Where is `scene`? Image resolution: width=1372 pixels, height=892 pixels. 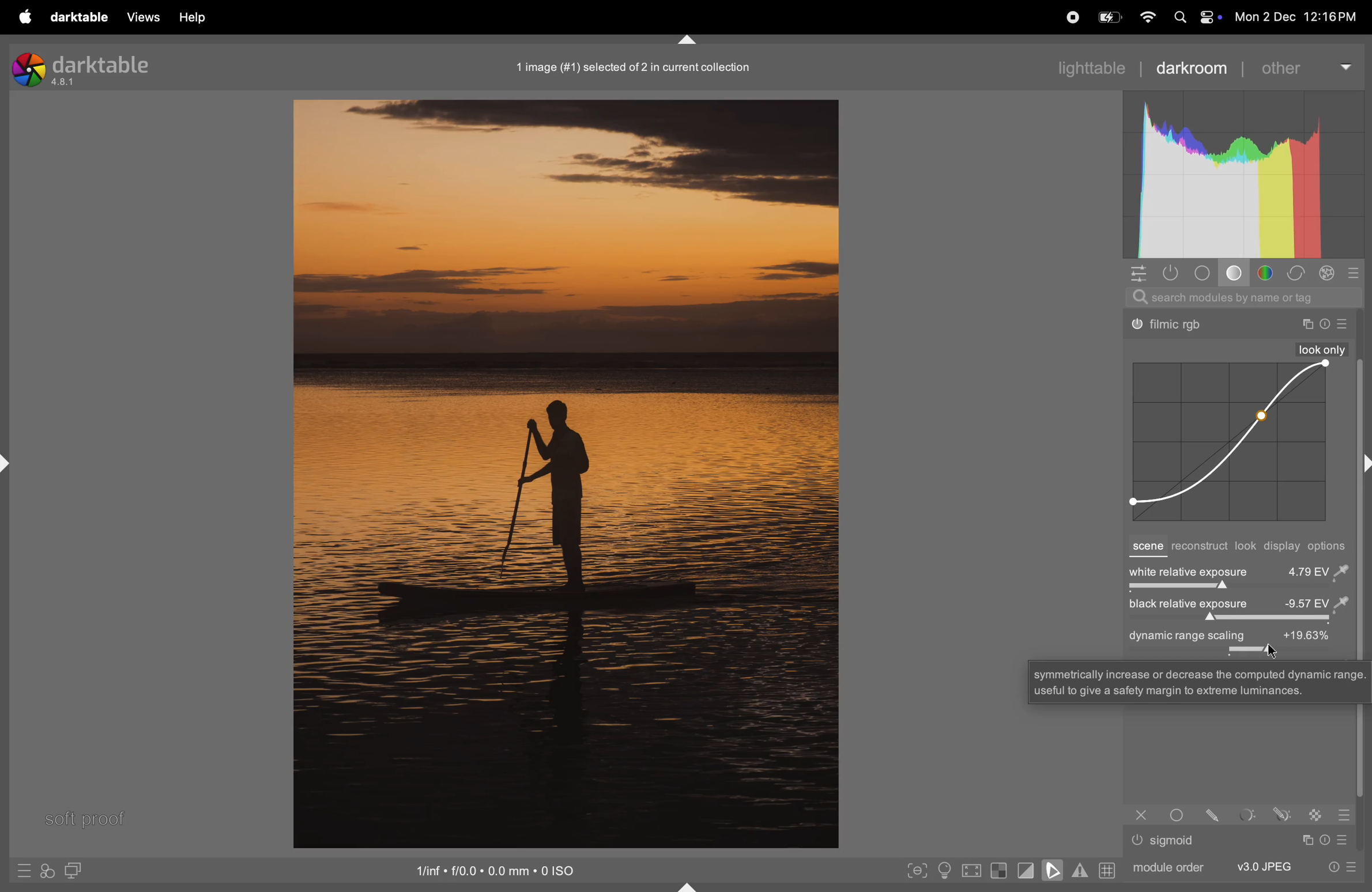
scene is located at coordinates (1146, 547).